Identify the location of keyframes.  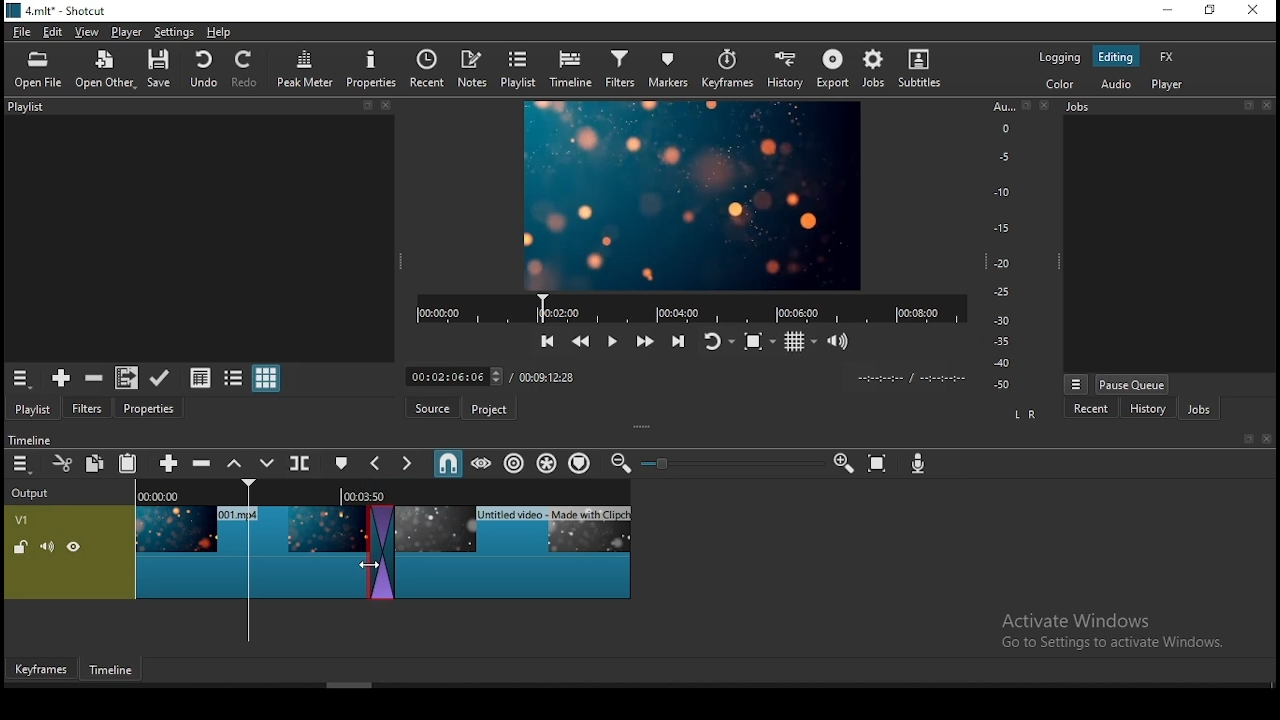
(731, 69).